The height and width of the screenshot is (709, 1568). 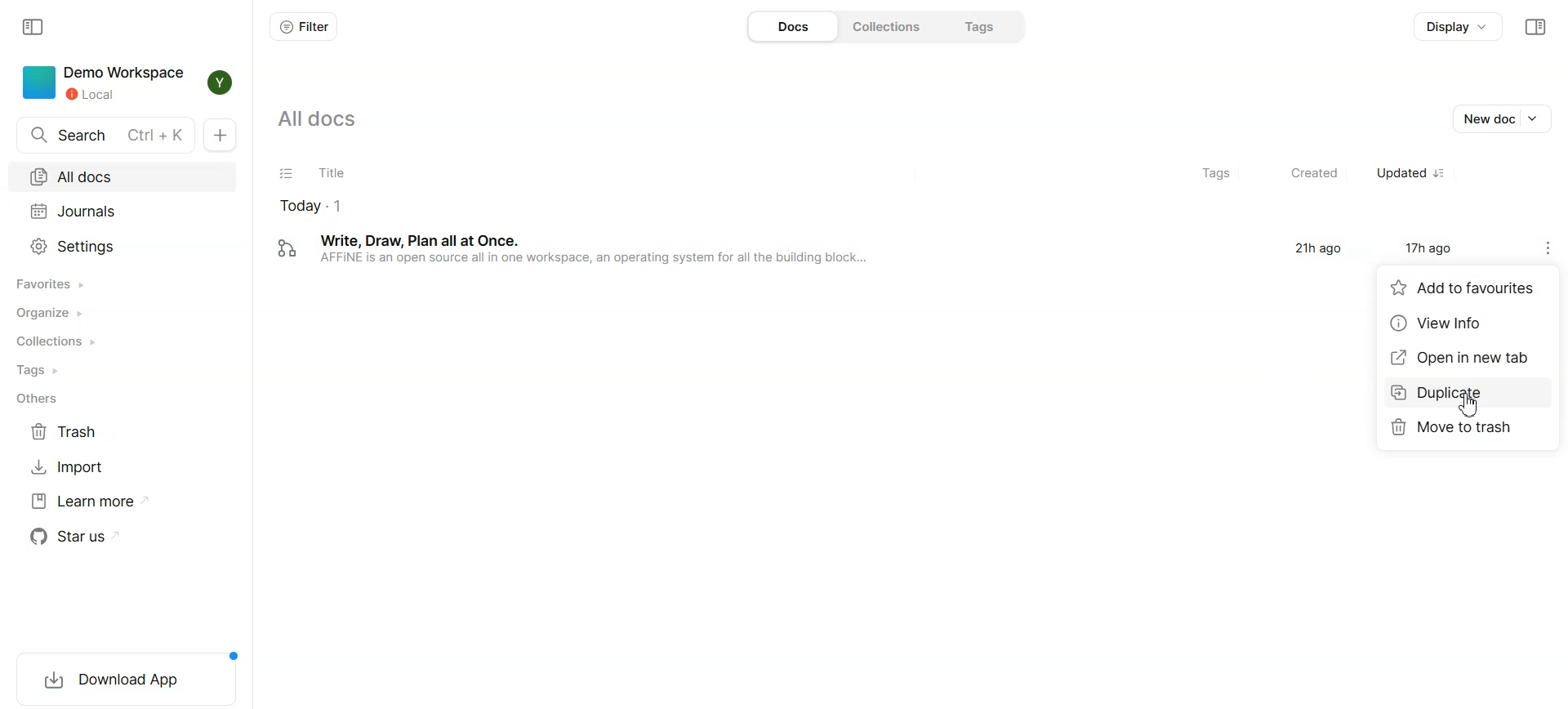 What do you see at coordinates (122, 313) in the screenshot?
I see `Organize` at bounding box center [122, 313].